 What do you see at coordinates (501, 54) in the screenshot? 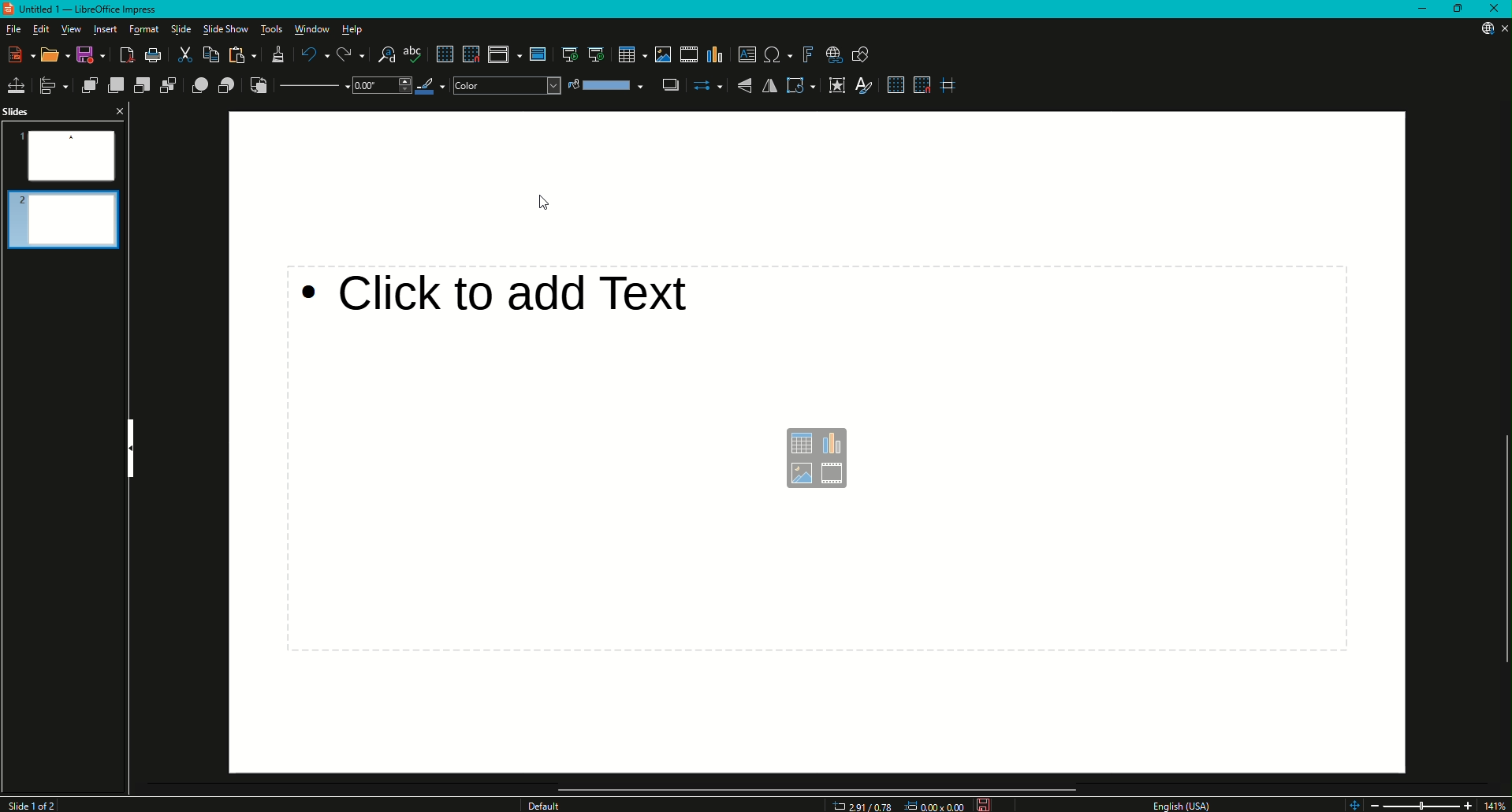
I see `Display views` at bounding box center [501, 54].